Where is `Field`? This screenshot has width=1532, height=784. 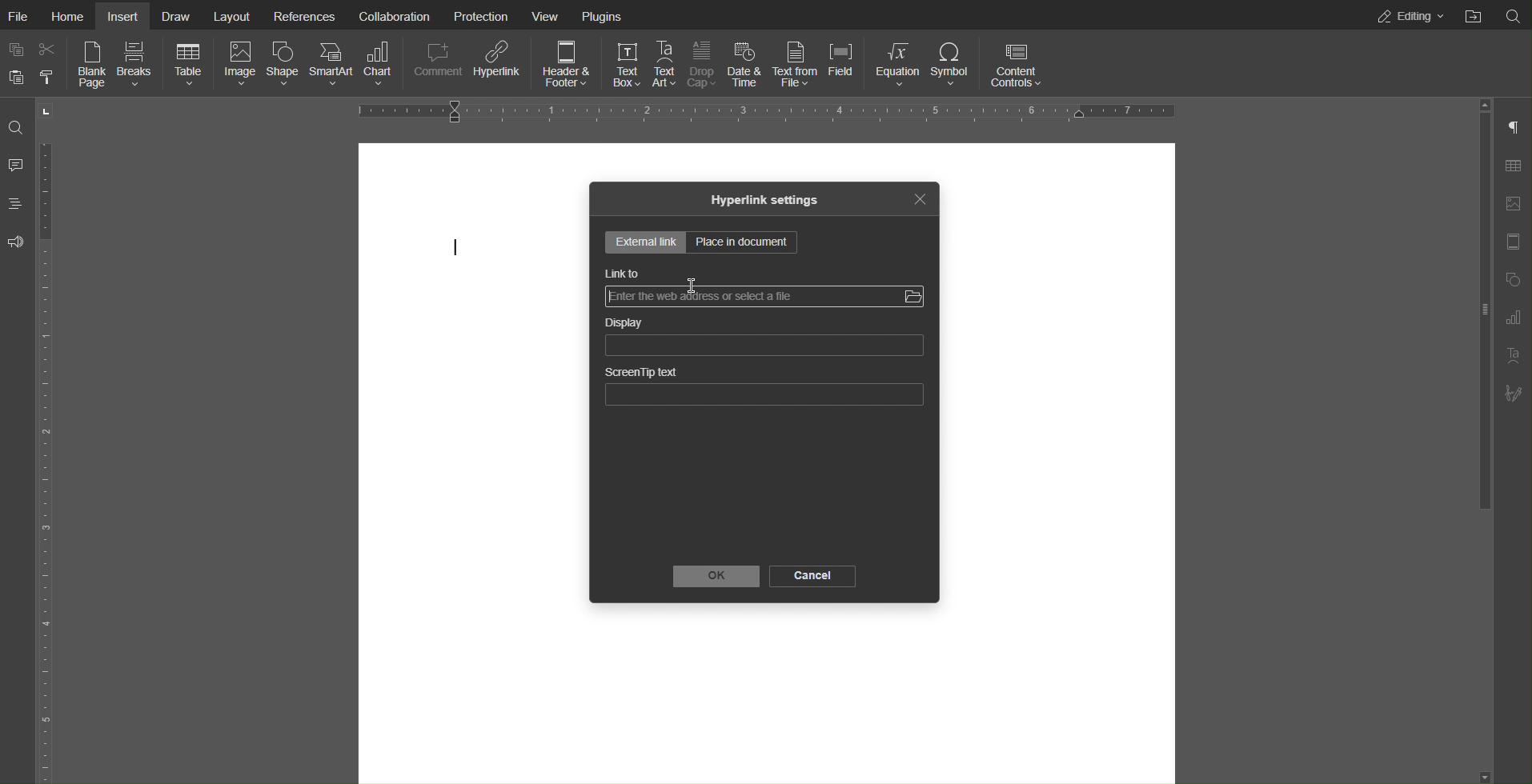 Field is located at coordinates (842, 65).